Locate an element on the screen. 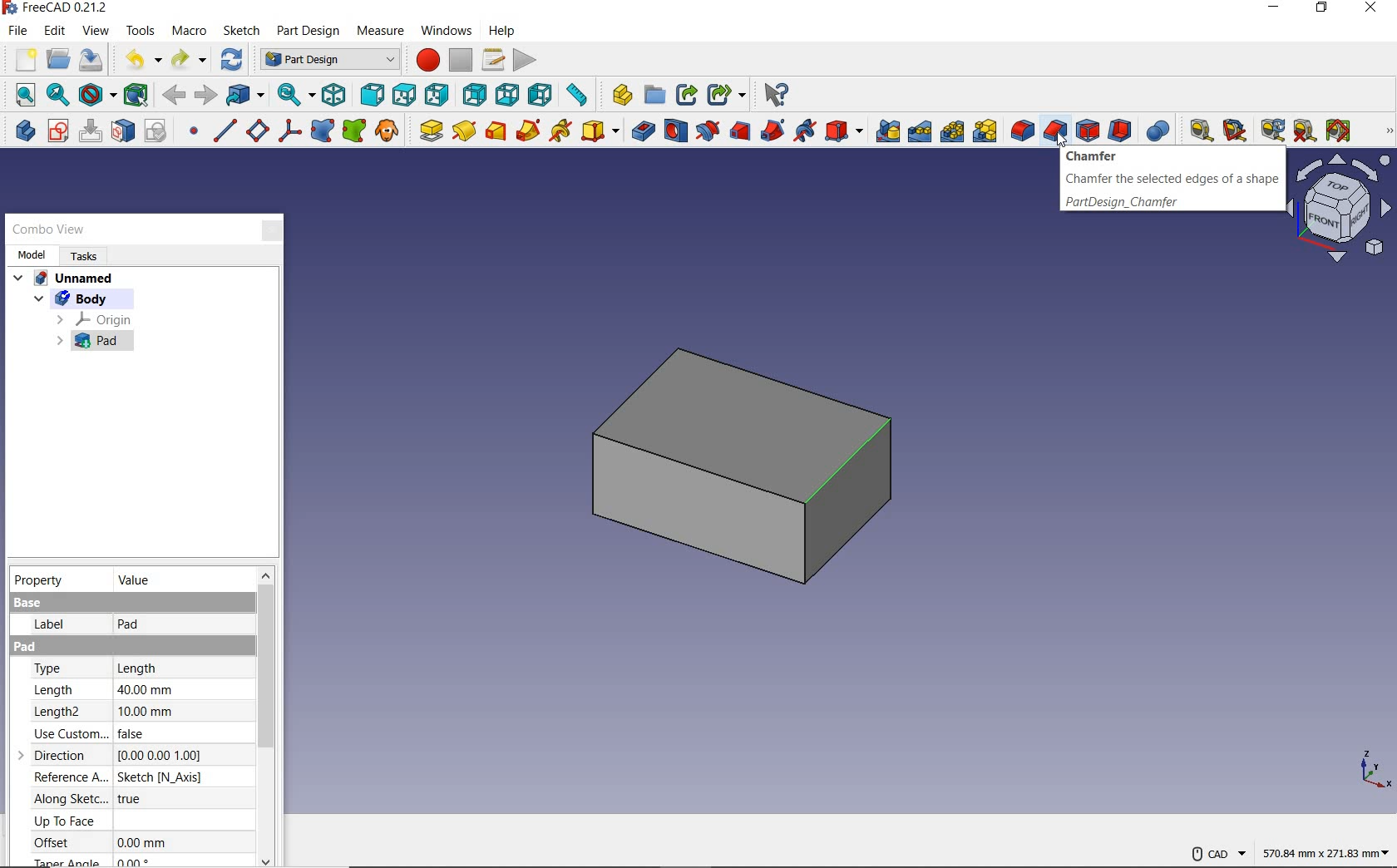 This screenshot has height=868, width=1397. 570.84 mm x 271.83 mm is located at coordinates (1323, 851).